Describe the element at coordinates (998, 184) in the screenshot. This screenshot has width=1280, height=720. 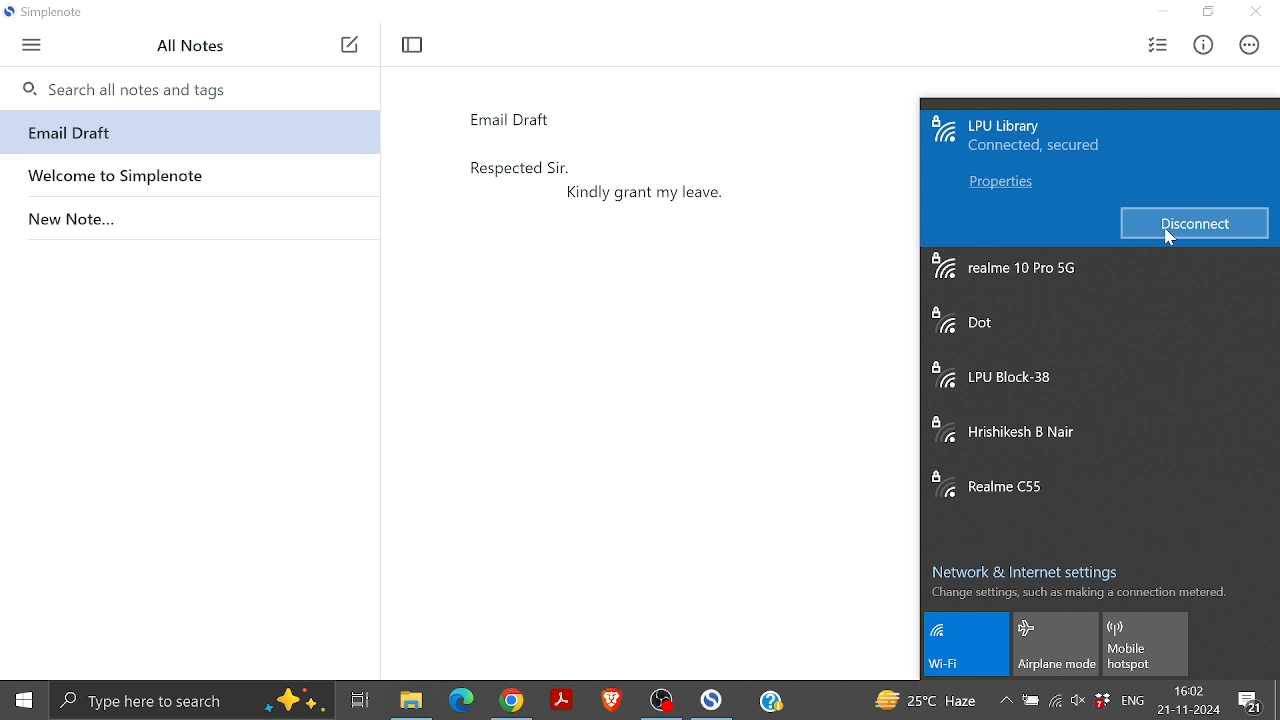
I see `Properties` at that location.